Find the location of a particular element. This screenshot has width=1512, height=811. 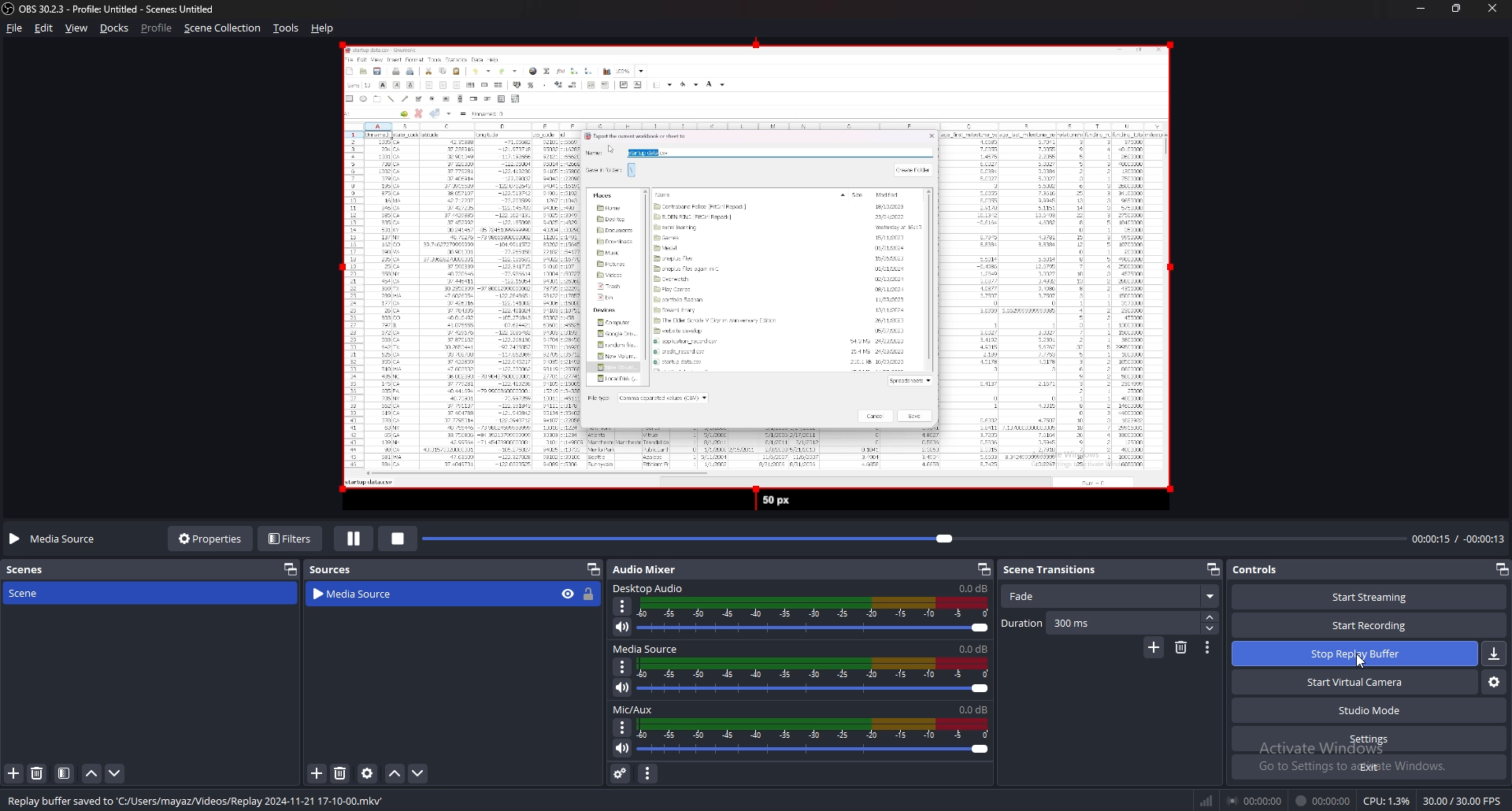

profile is located at coordinates (157, 28).